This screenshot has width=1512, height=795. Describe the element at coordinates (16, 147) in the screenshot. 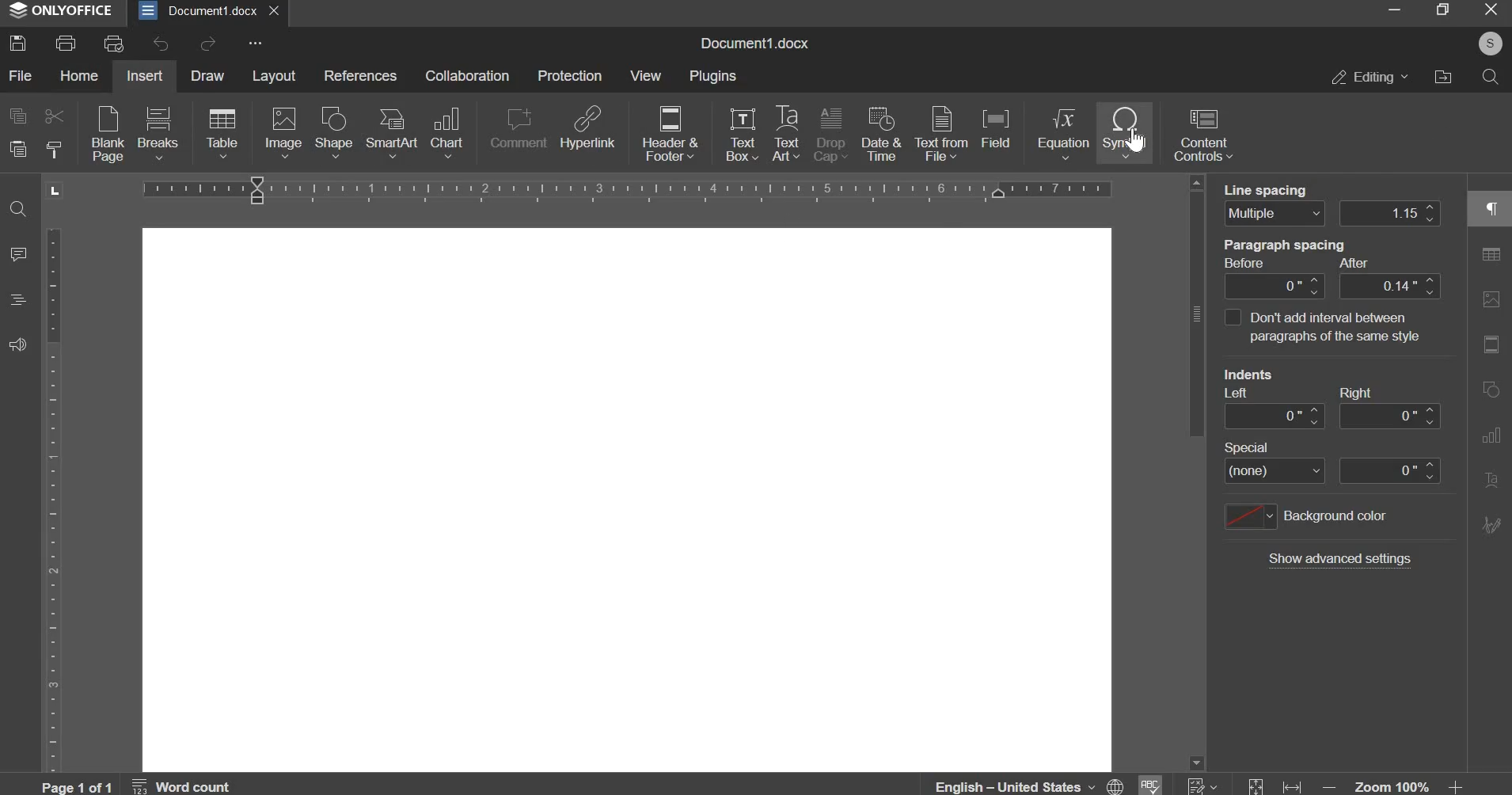

I see `paste` at that location.